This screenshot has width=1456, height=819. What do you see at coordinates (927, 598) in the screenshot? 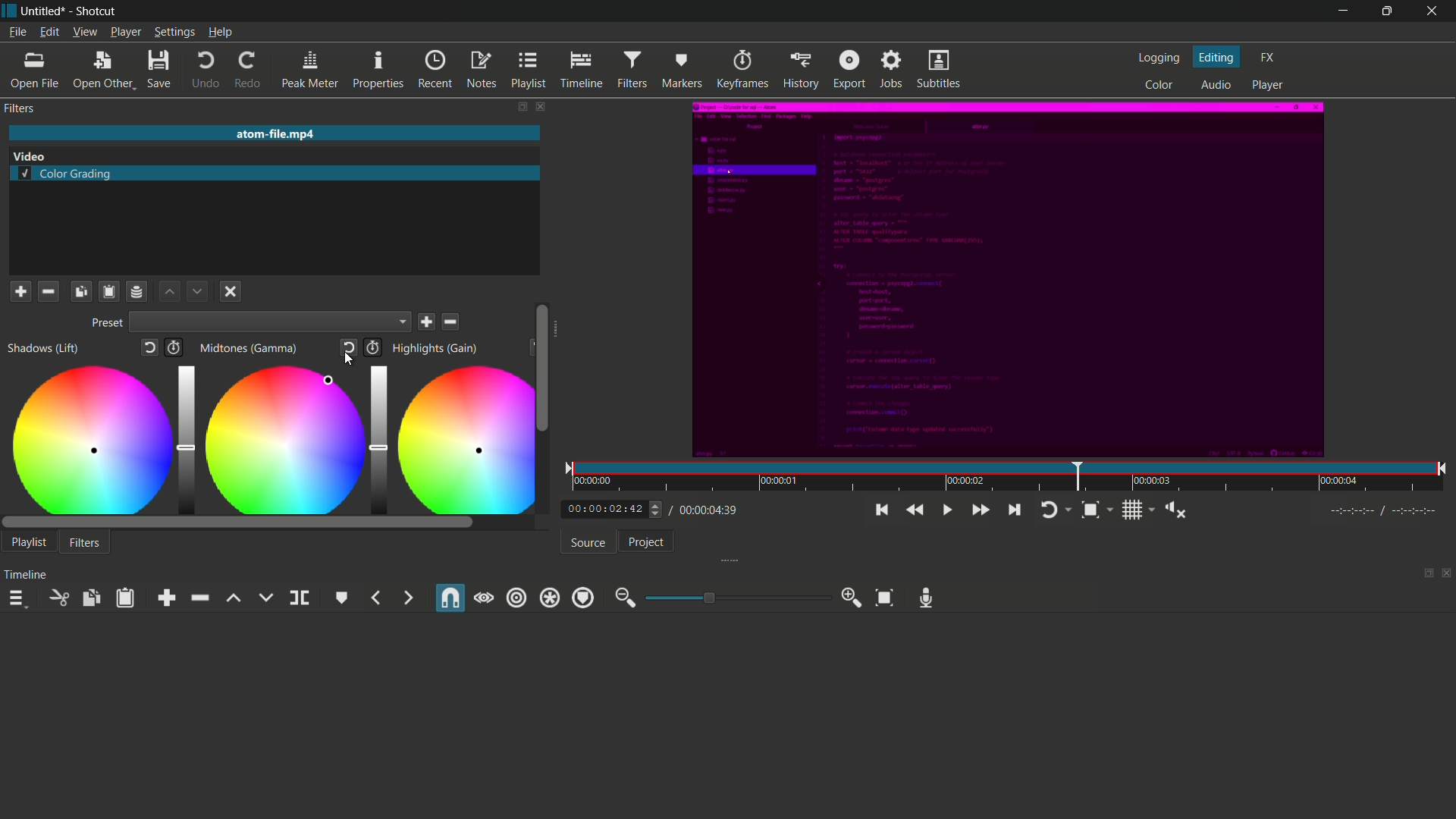
I see `record audio` at bounding box center [927, 598].